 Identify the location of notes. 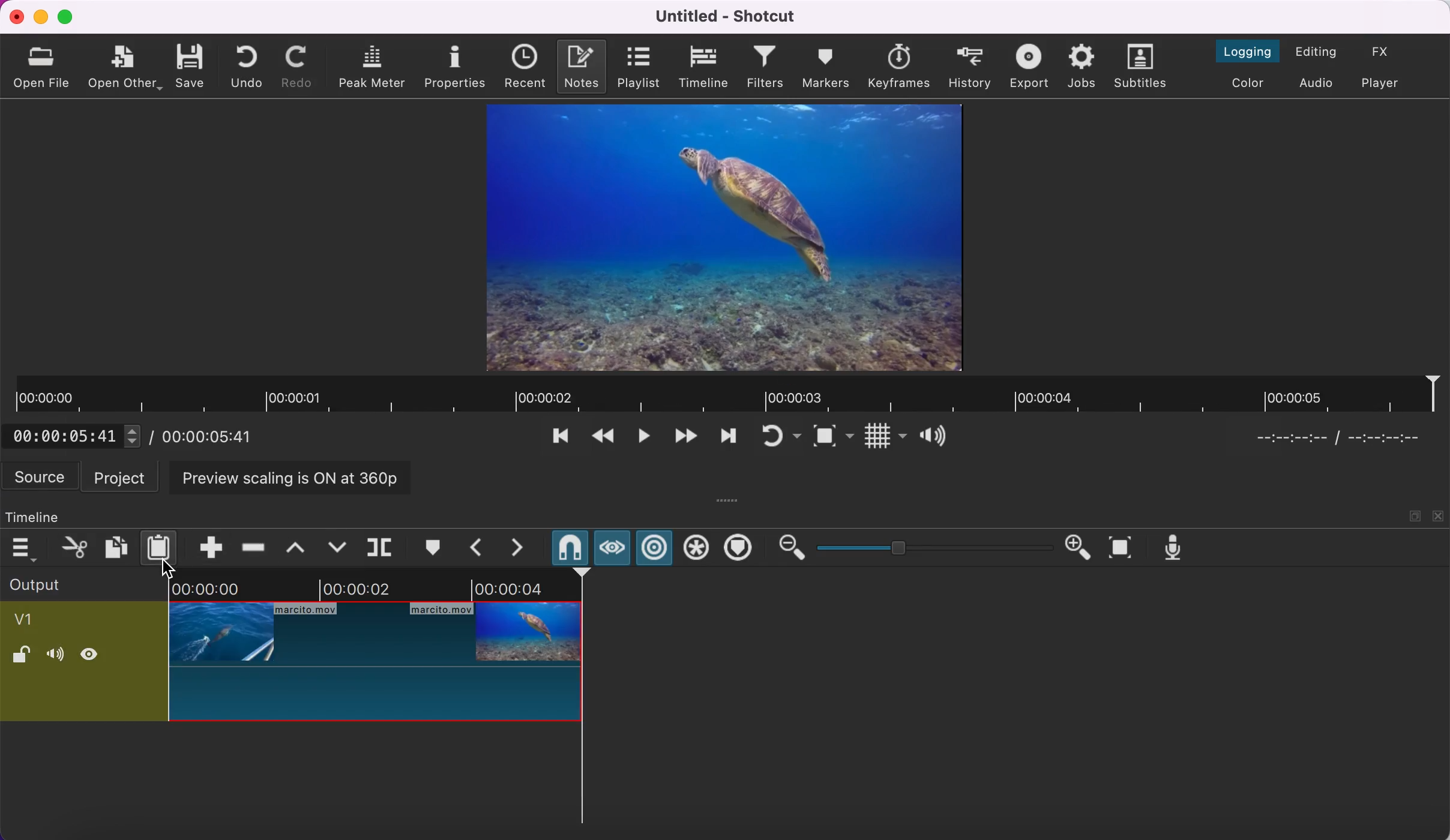
(583, 66).